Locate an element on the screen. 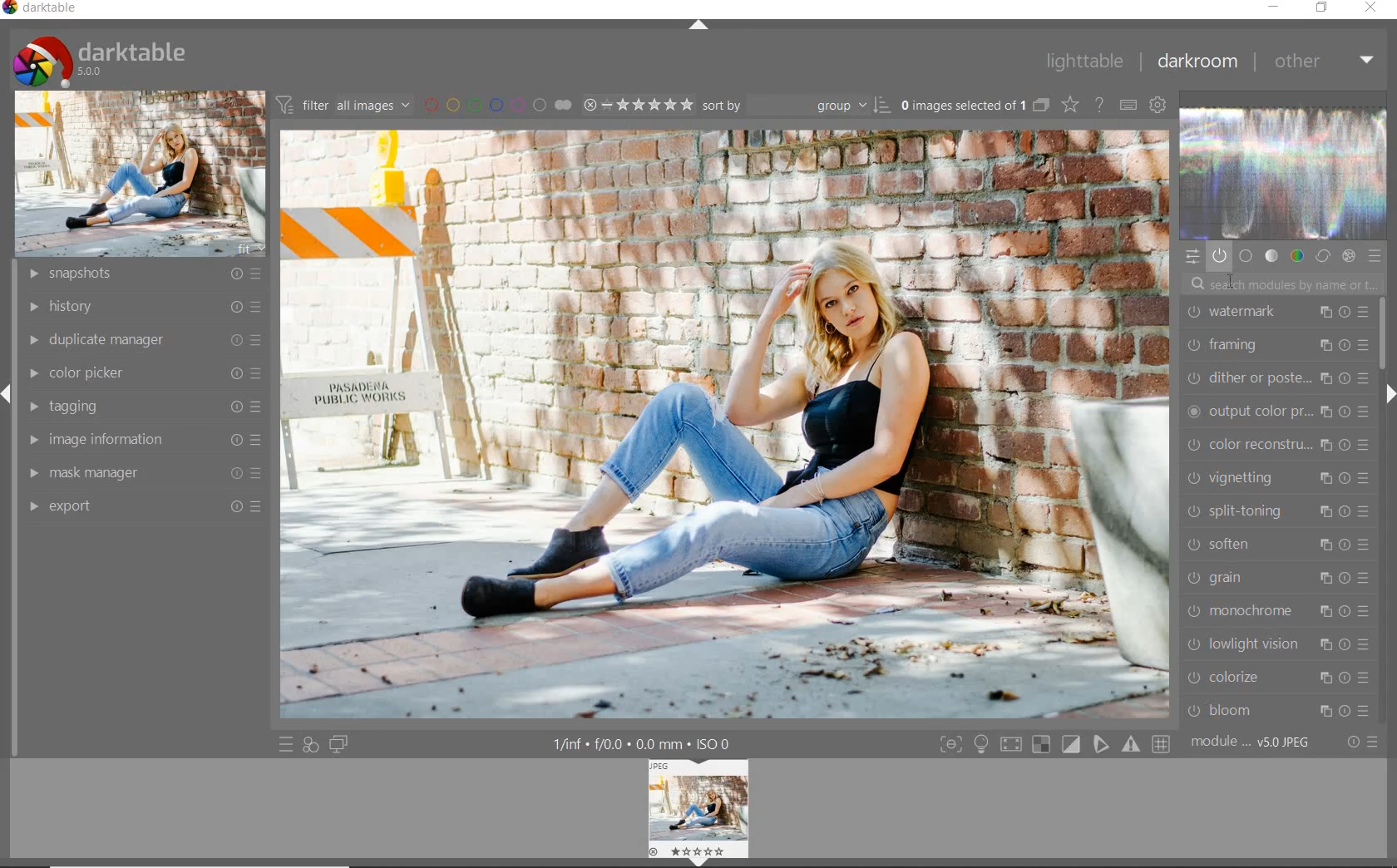  quick access panel is located at coordinates (1193, 257).